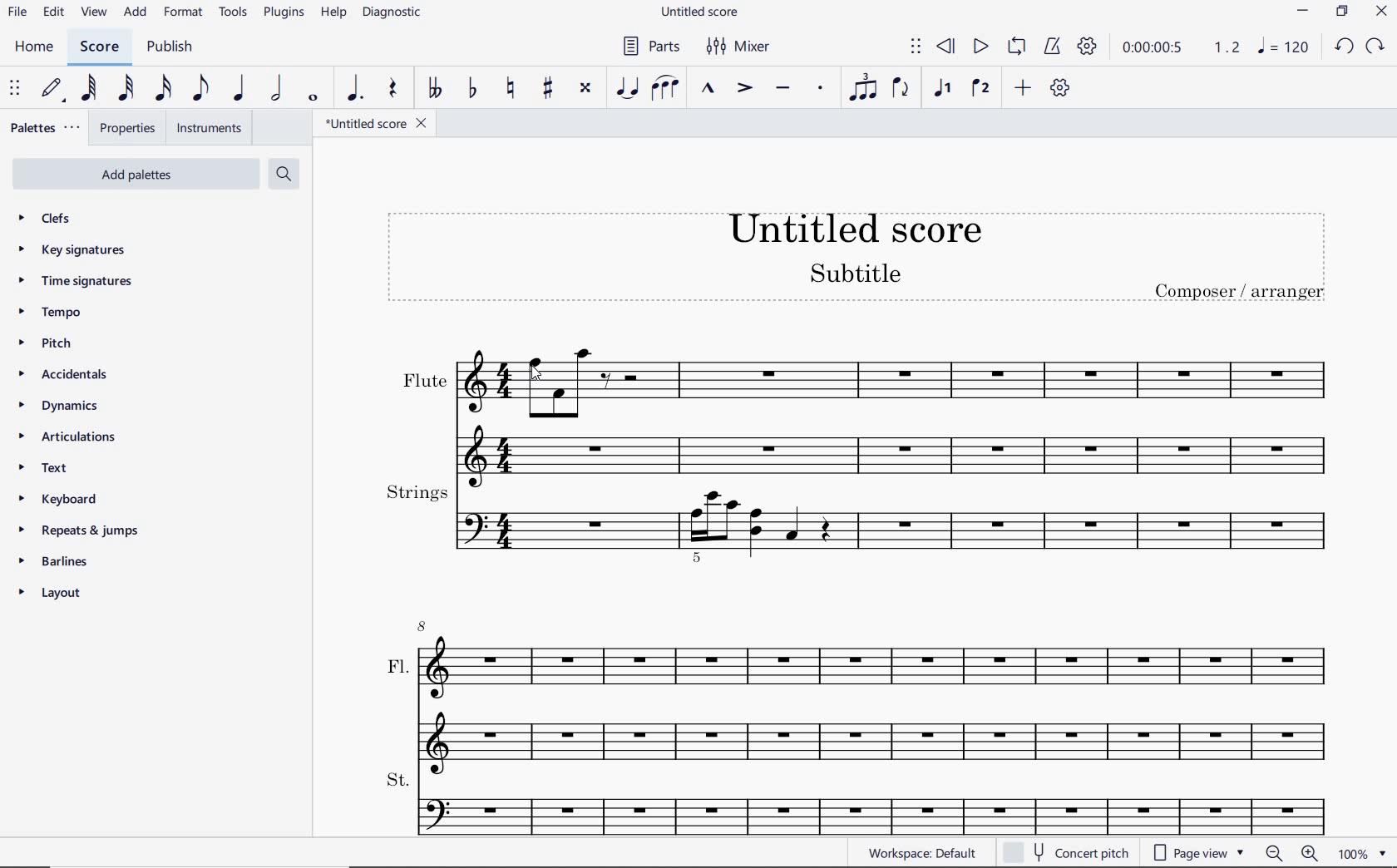  I want to click on articulations, so click(67, 437).